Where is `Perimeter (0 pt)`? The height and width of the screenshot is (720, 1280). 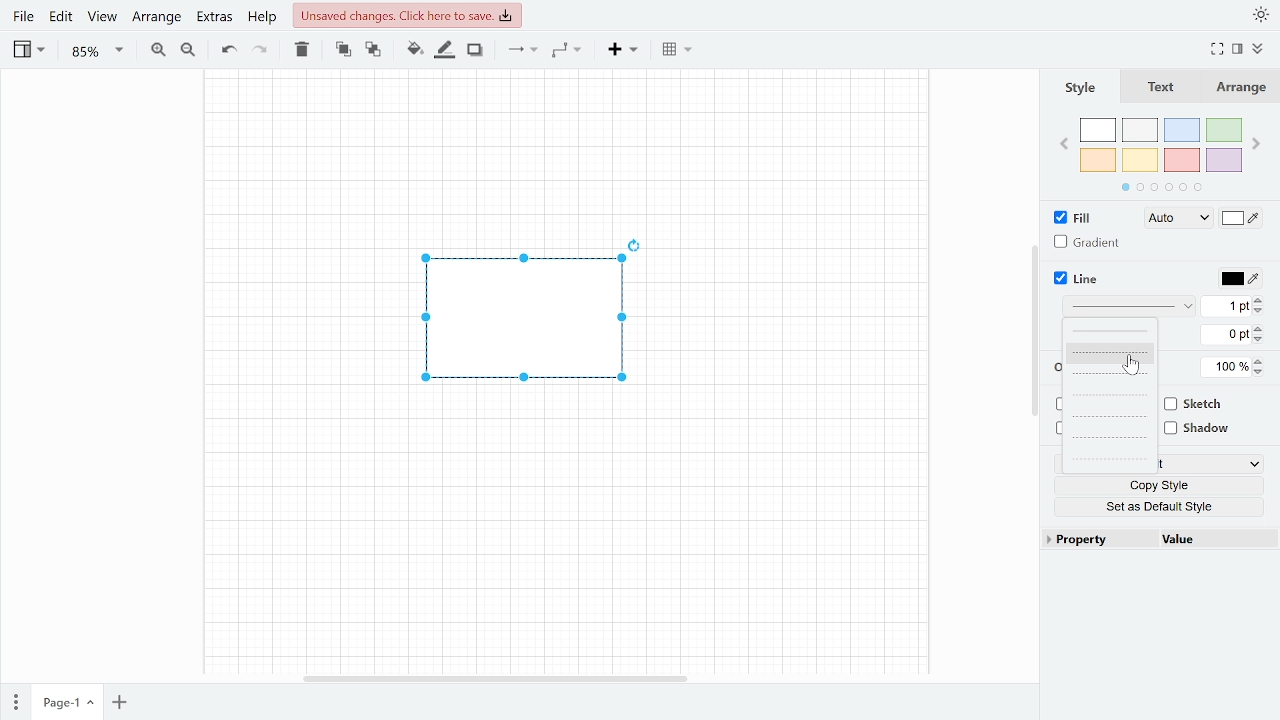
Perimeter (0 pt) is located at coordinates (1226, 334).